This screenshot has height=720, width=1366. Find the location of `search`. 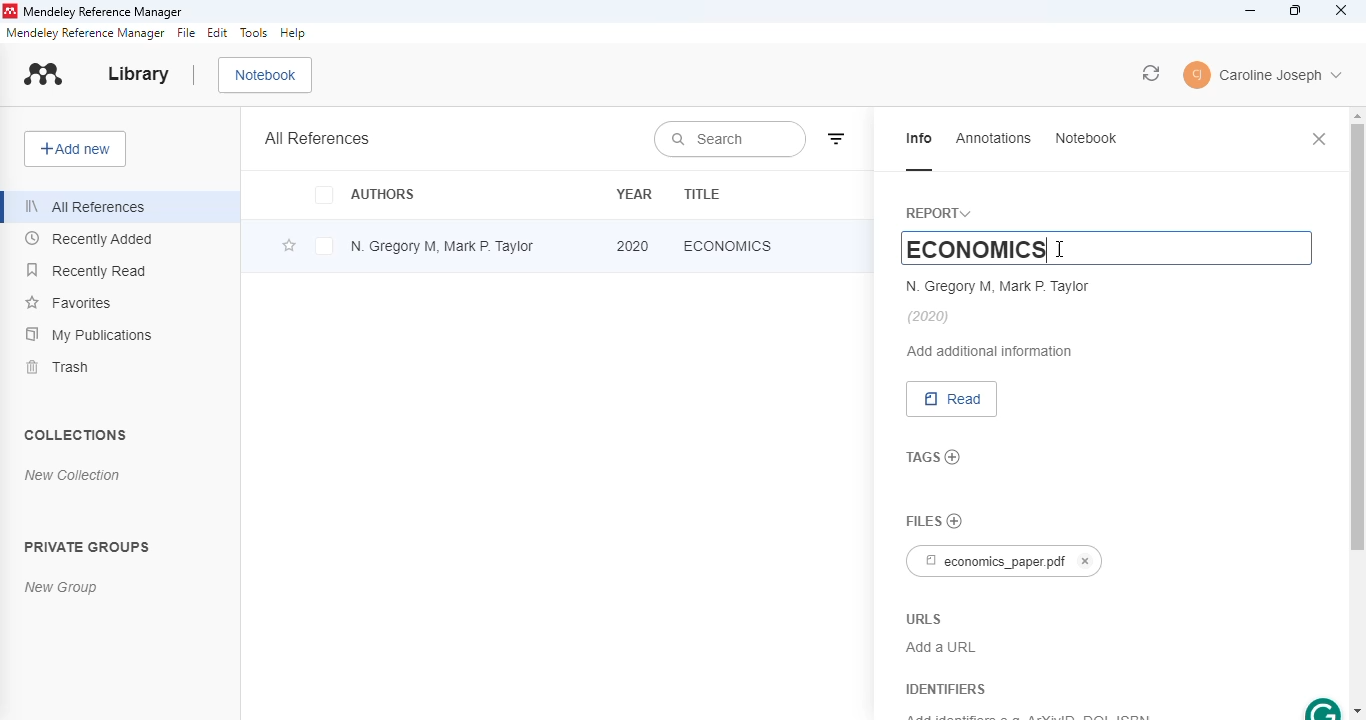

search is located at coordinates (729, 139).